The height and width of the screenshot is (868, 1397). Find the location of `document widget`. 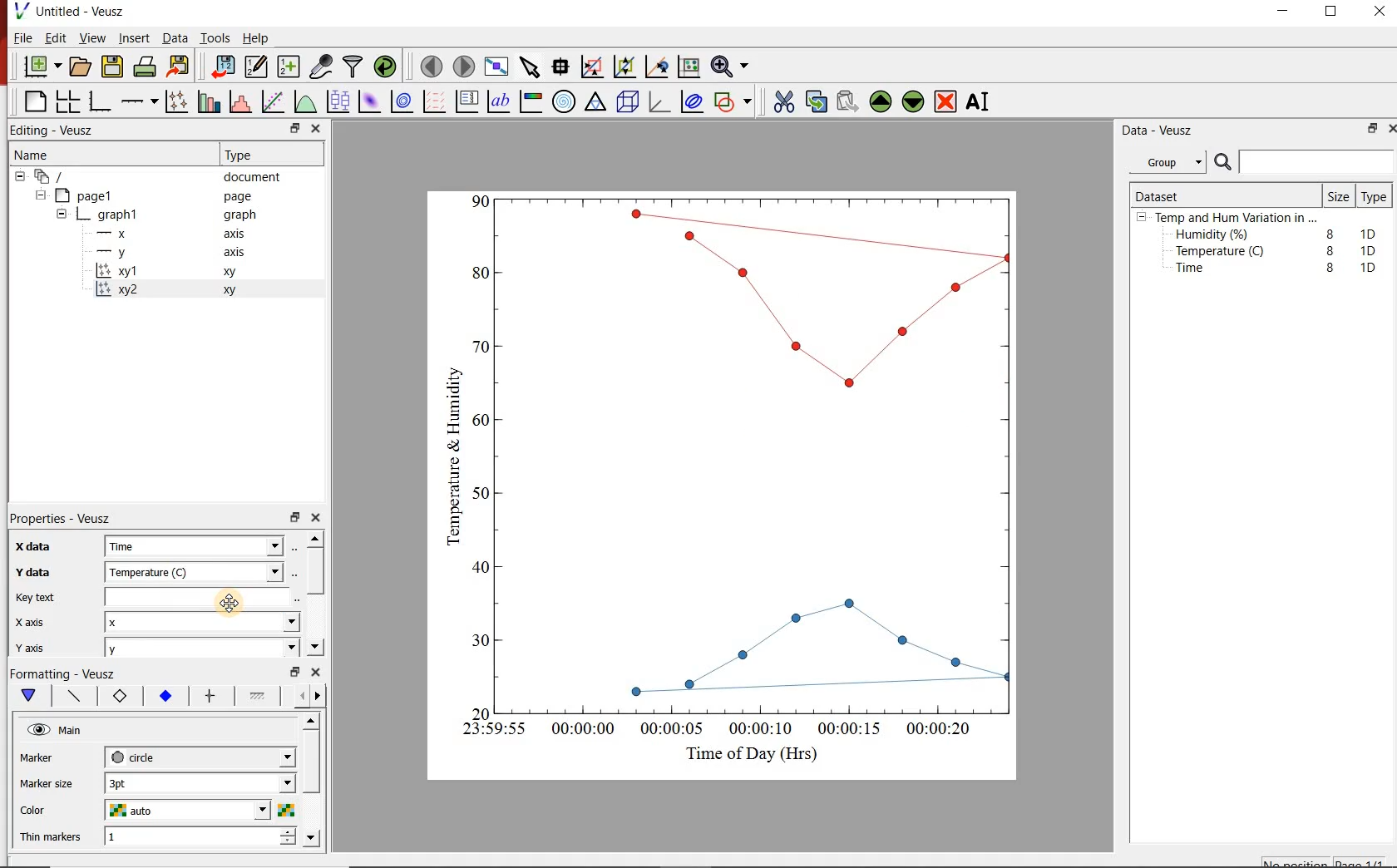

document widget is located at coordinates (59, 177).